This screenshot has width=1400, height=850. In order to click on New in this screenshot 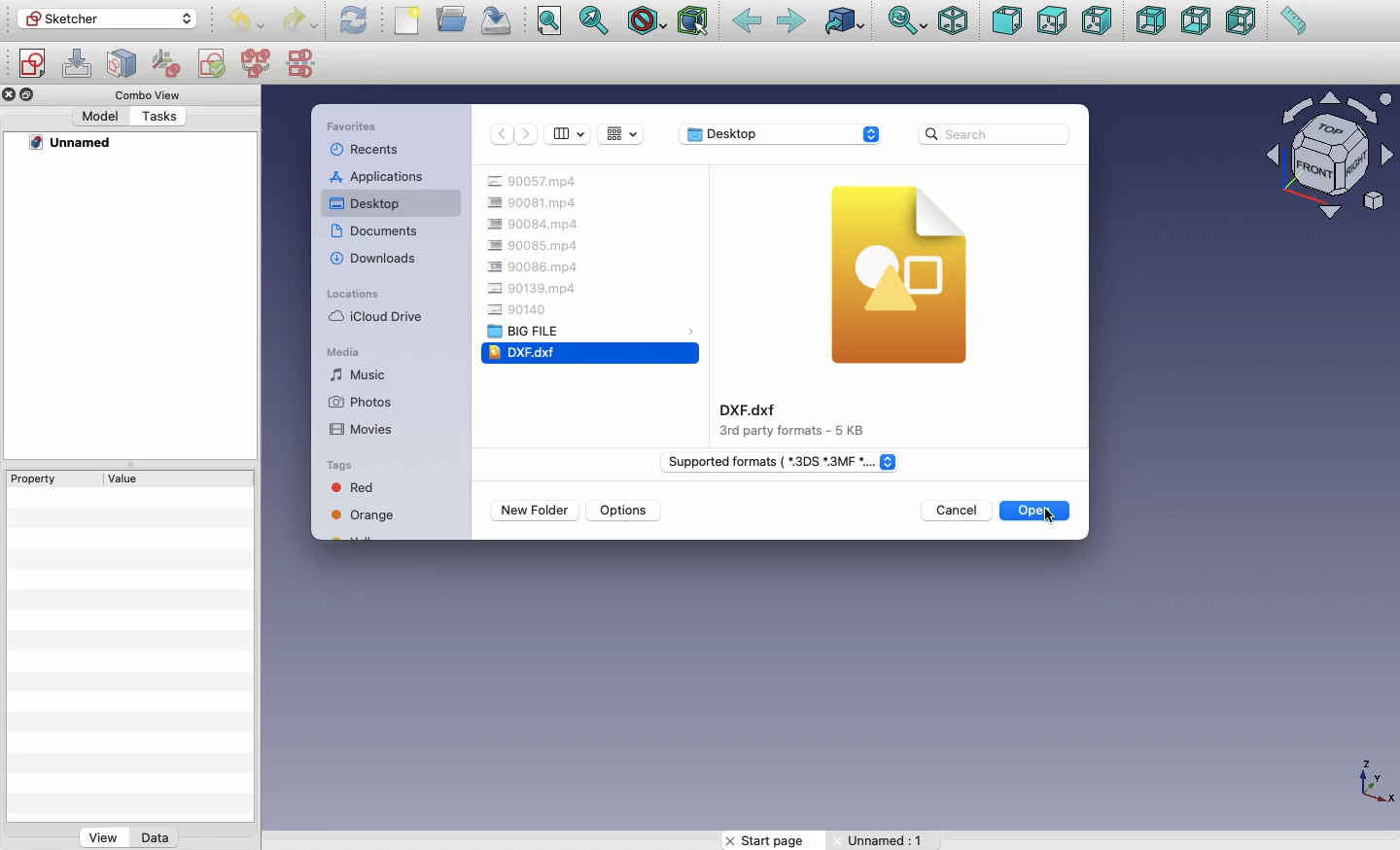, I will do `click(407, 19)`.